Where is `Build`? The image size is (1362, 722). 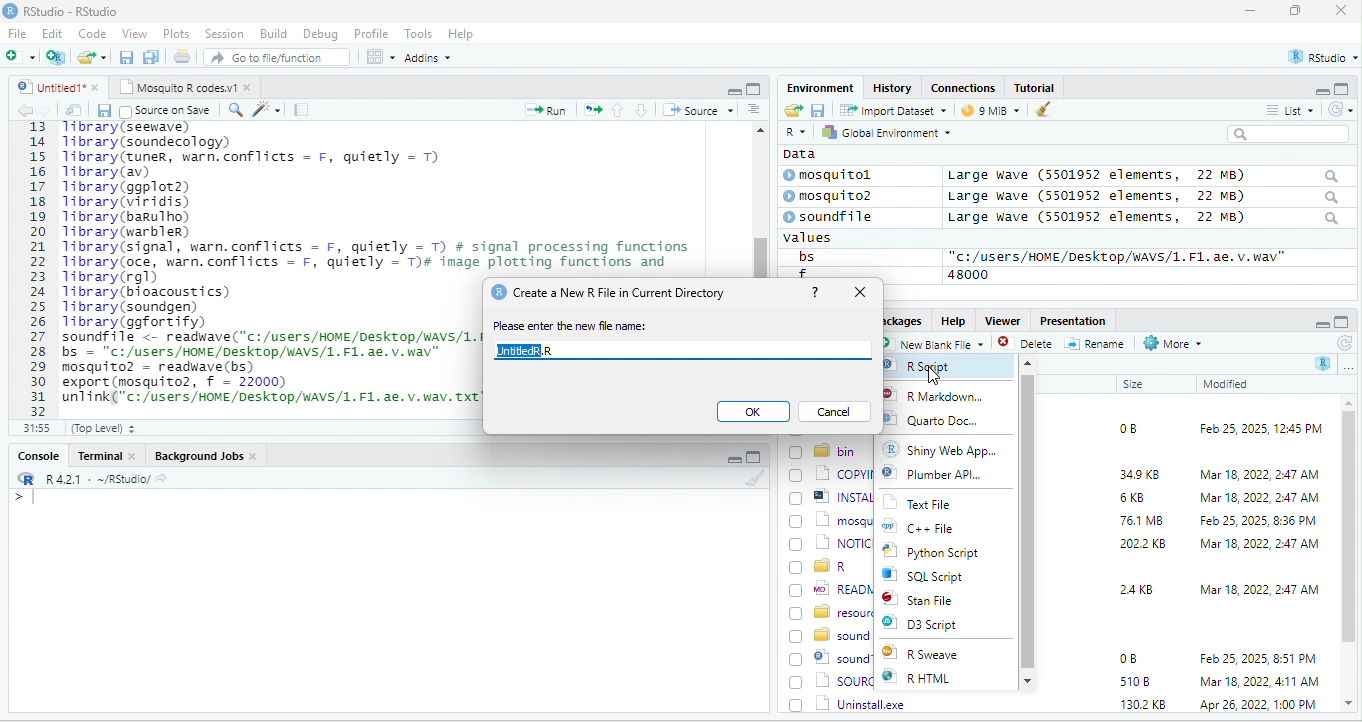
Build is located at coordinates (274, 33).